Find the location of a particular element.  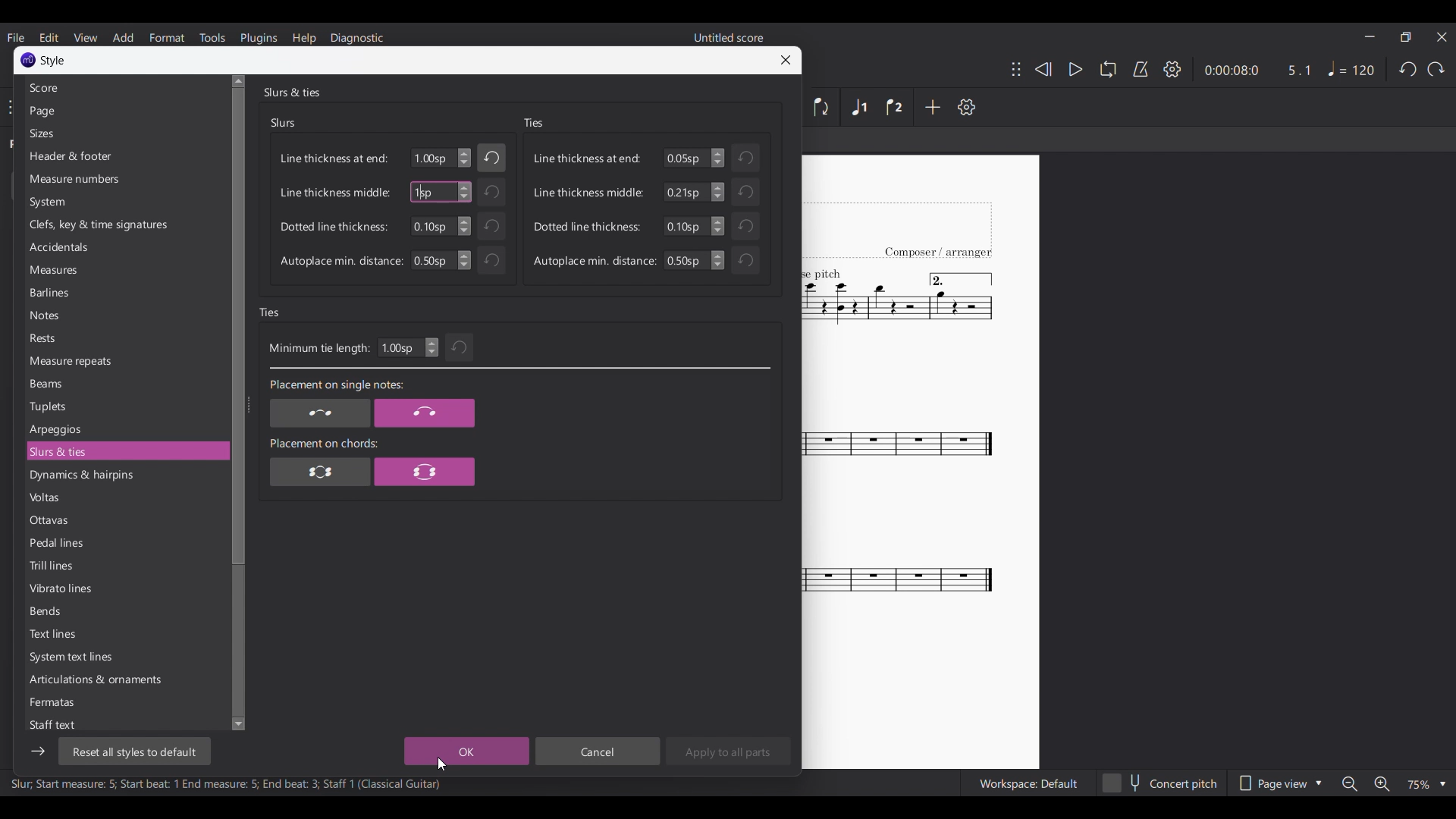

Voice 2 is located at coordinates (894, 107).